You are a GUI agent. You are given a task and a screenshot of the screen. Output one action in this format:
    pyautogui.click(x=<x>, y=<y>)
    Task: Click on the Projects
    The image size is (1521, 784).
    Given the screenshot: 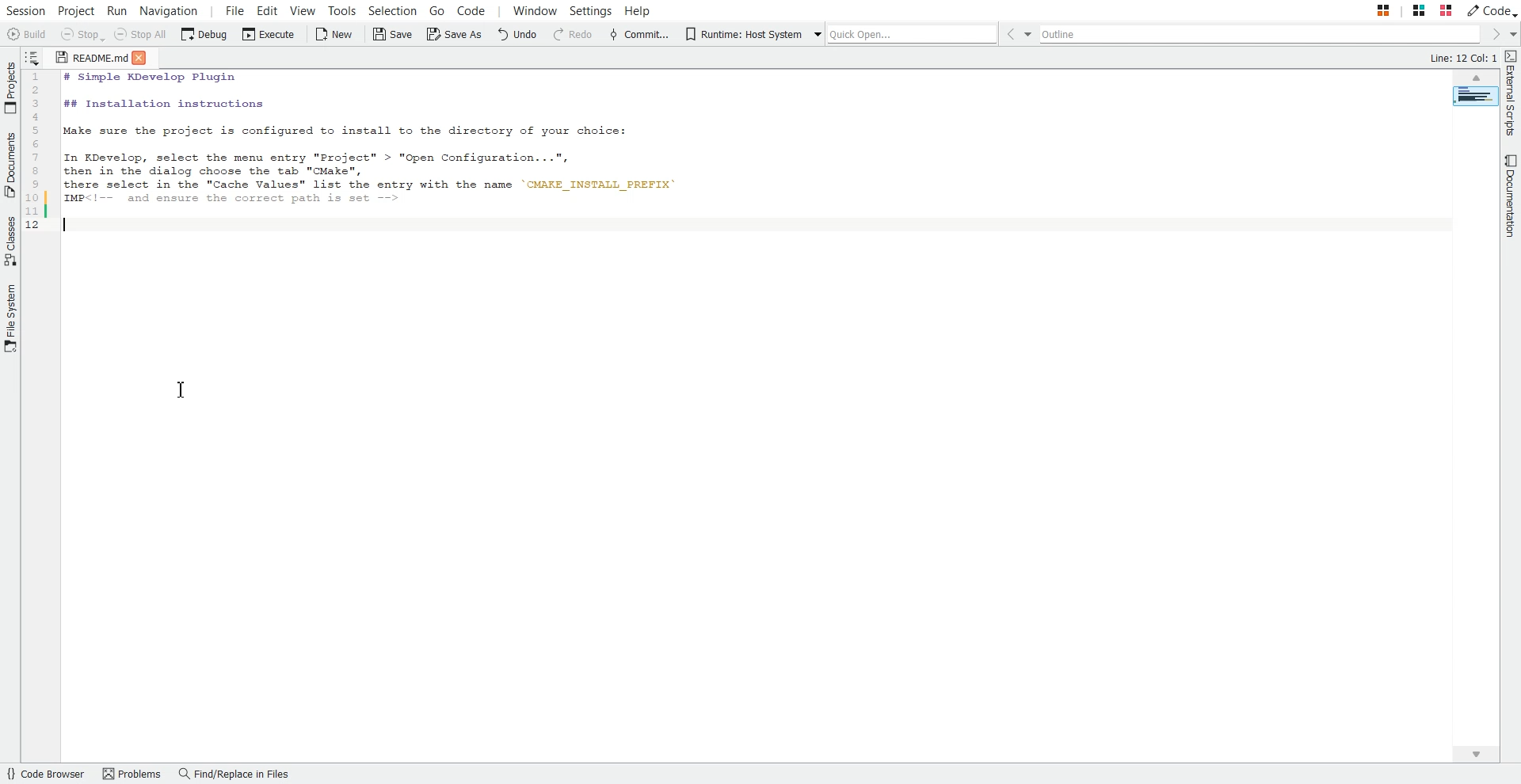 What is the action you would take?
    pyautogui.click(x=10, y=88)
    